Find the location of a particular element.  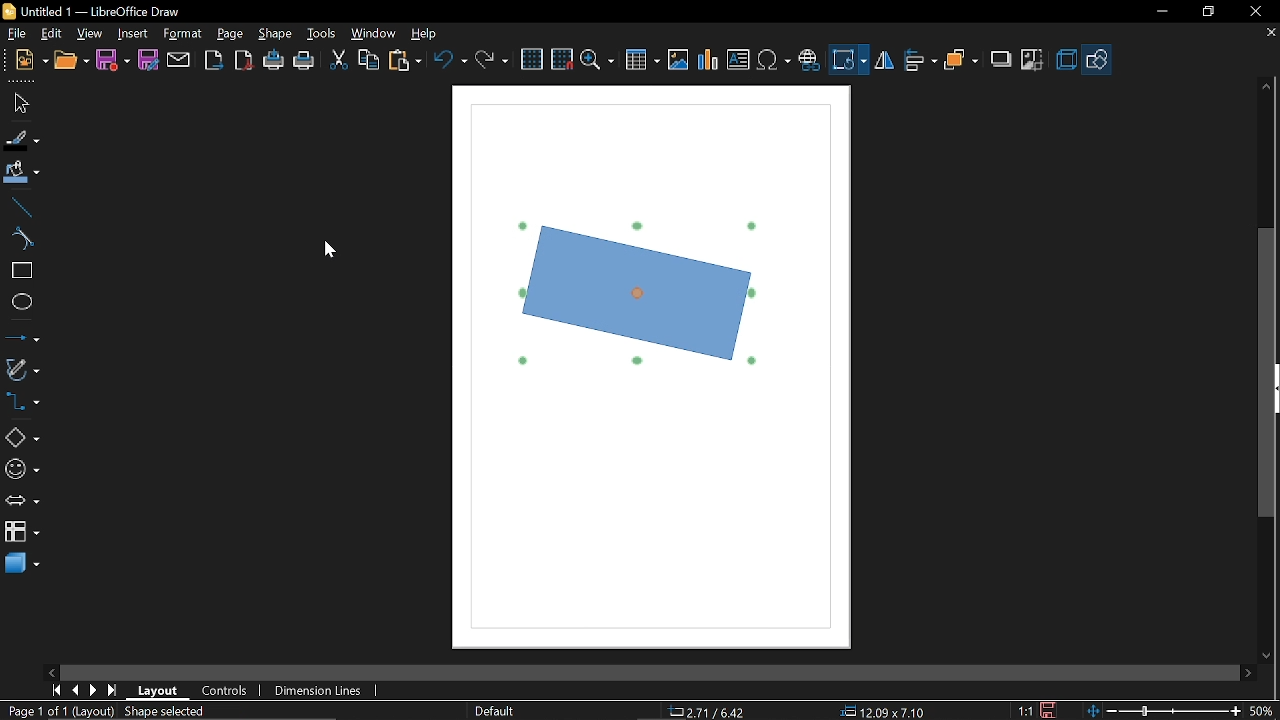

print directly is located at coordinates (273, 62).